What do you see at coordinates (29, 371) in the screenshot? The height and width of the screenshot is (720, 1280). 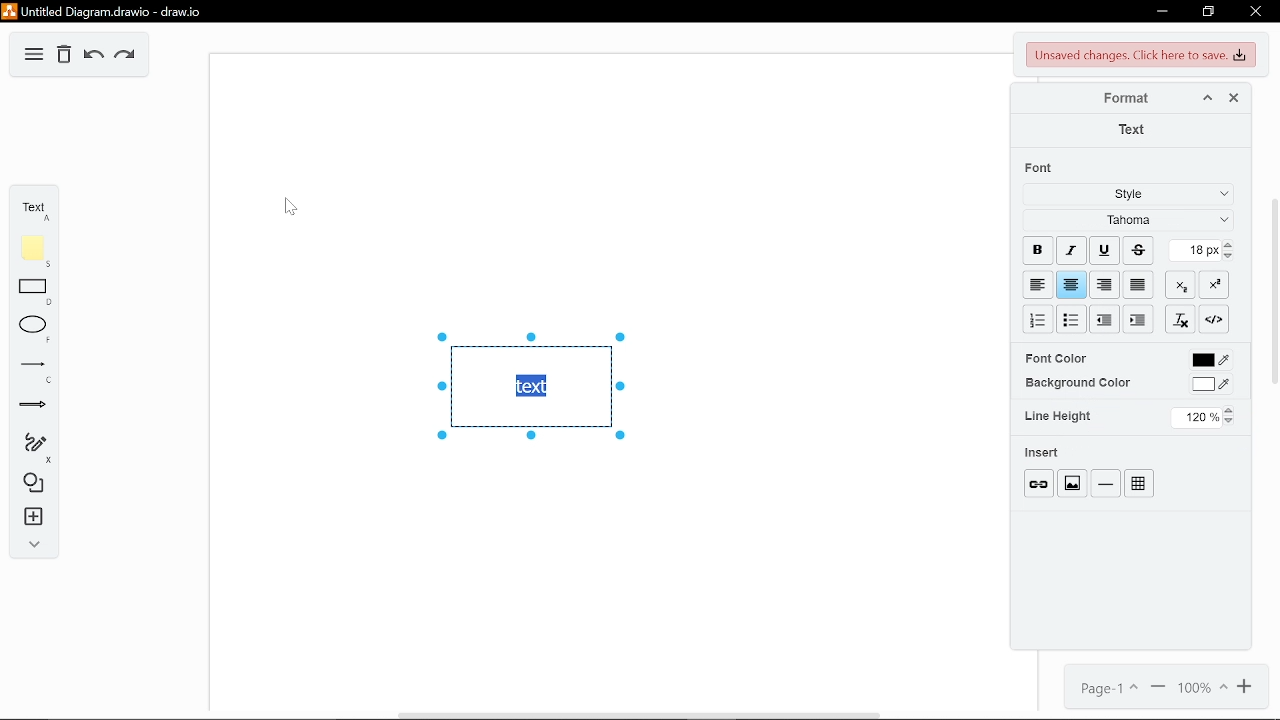 I see `lines` at bounding box center [29, 371].